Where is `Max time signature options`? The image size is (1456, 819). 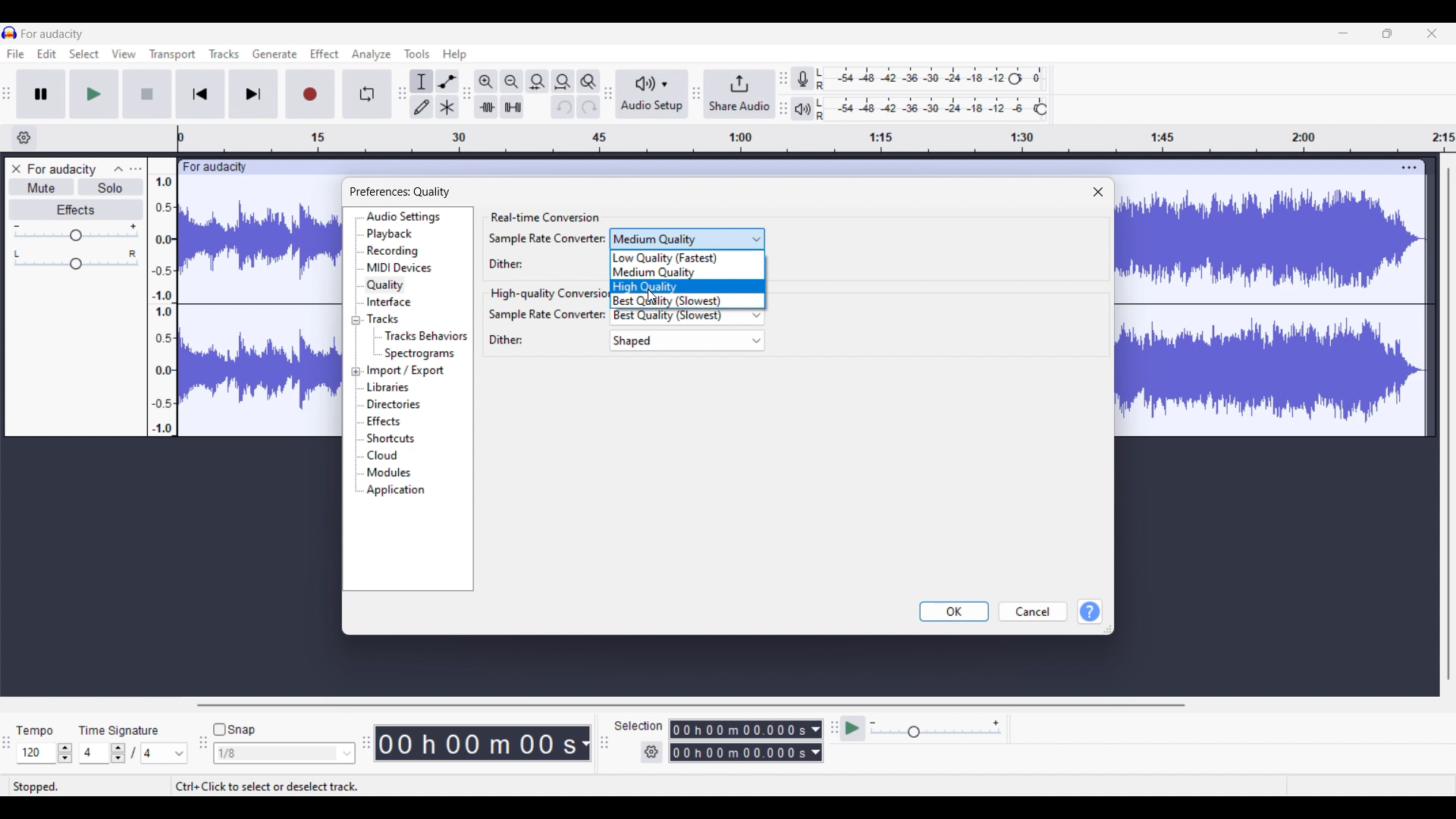
Max time signature options is located at coordinates (165, 753).